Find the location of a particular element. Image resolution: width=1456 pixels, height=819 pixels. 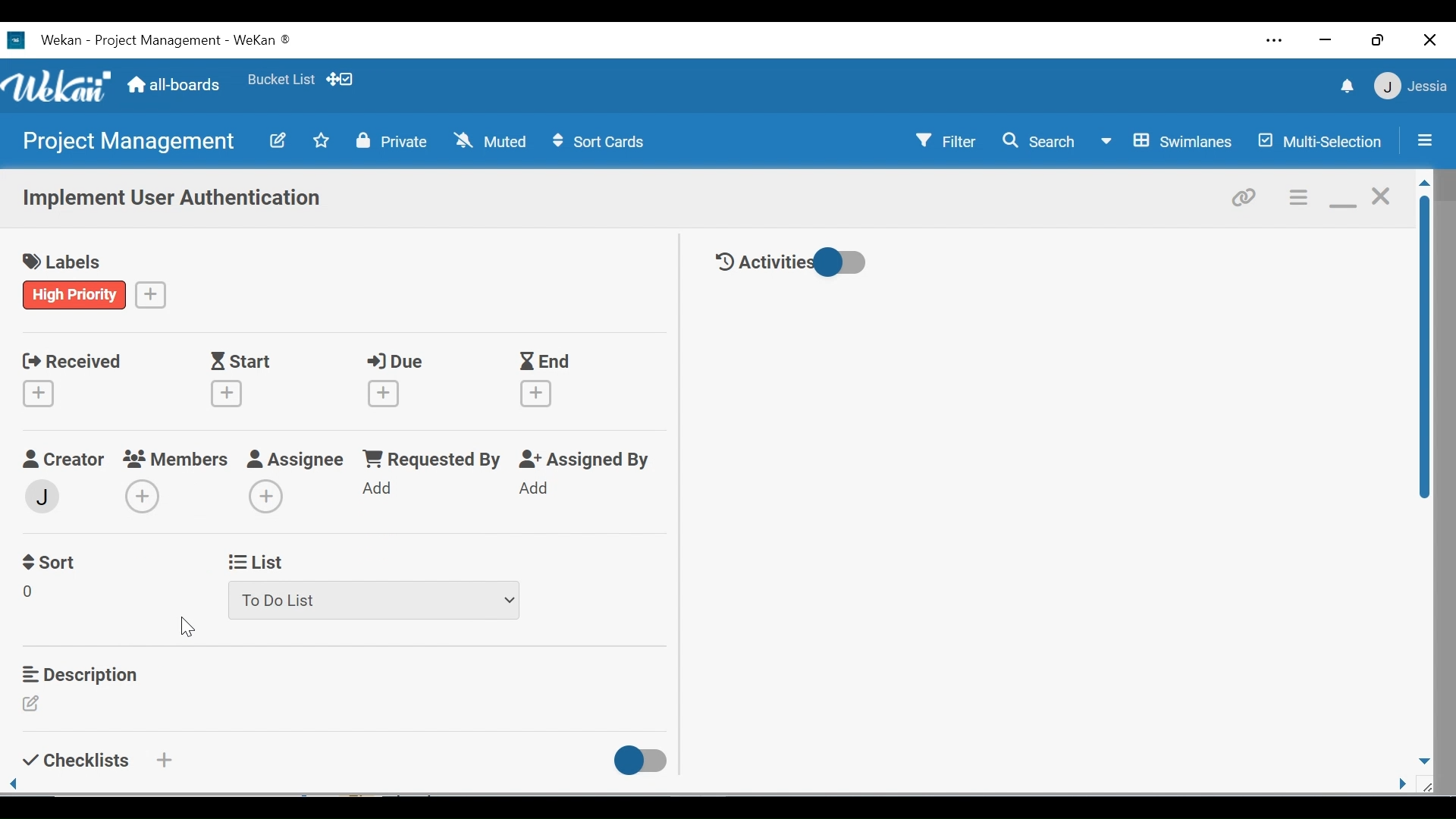

Close is located at coordinates (1428, 41).